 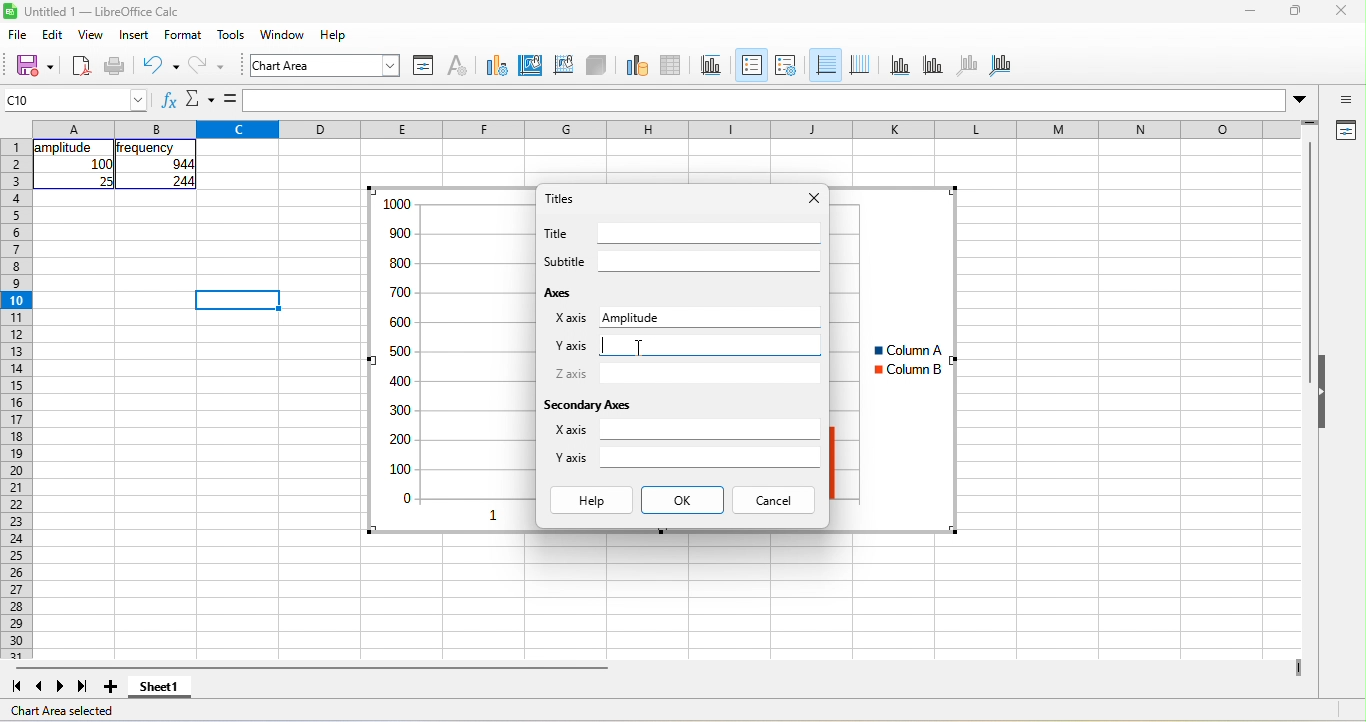 I want to click on column headings, so click(x=666, y=129).